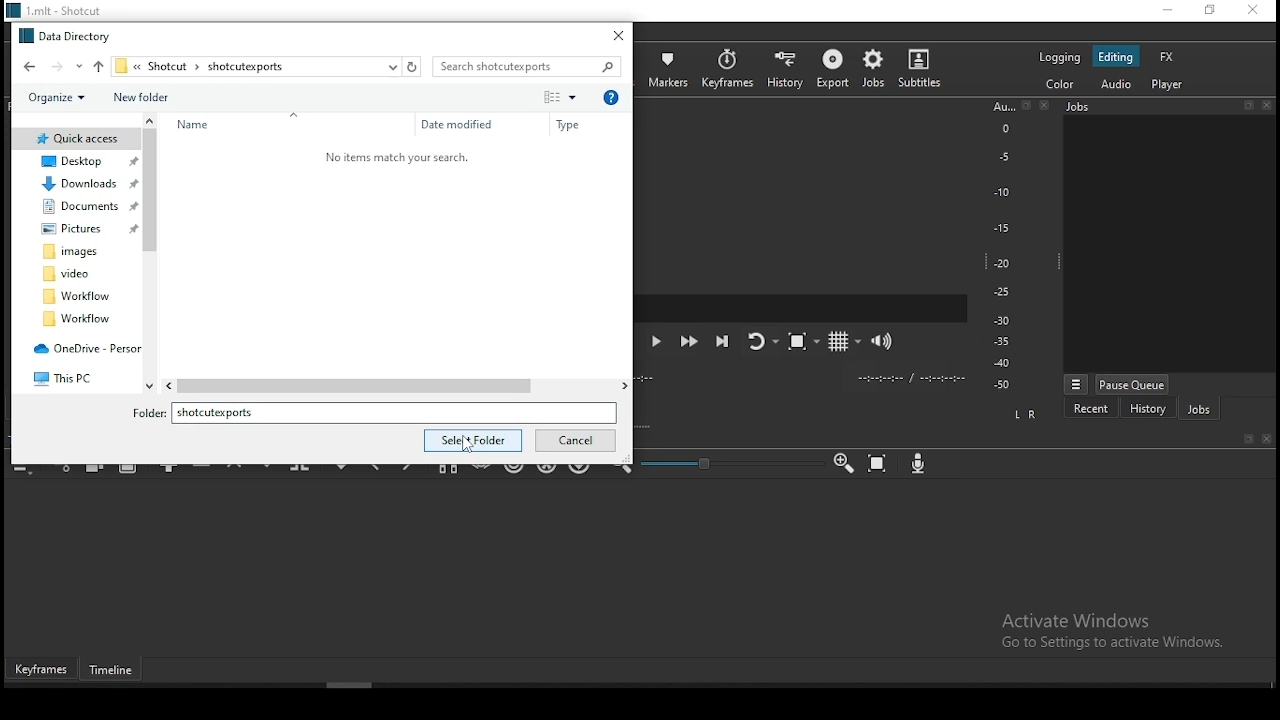  Describe the element at coordinates (199, 66) in the screenshot. I see `file path` at that location.